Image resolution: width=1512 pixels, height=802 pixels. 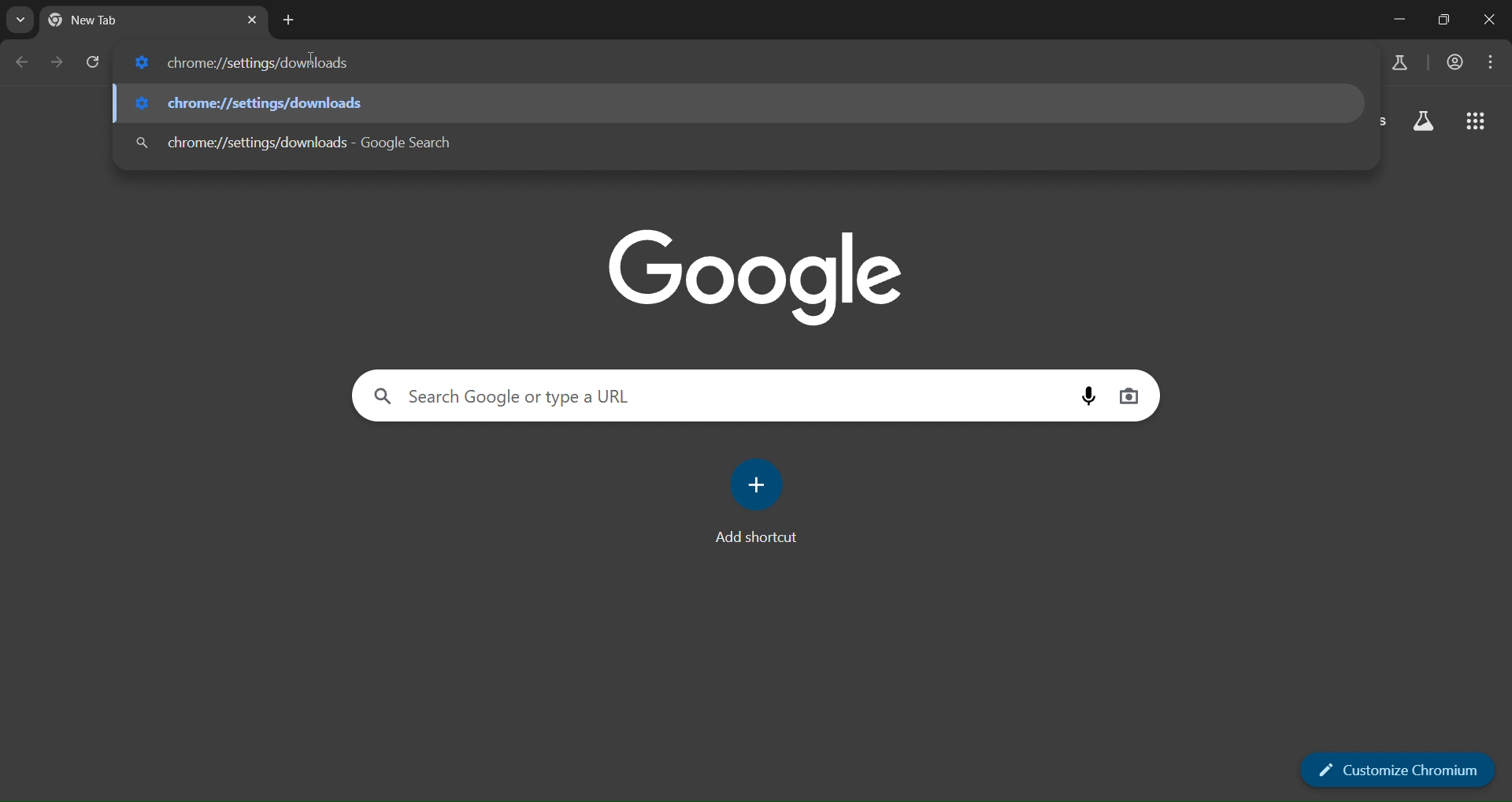 What do you see at coordinates (53, 61) in the screenshot?
I see `go forward one page` at bounding box center [53, 61].